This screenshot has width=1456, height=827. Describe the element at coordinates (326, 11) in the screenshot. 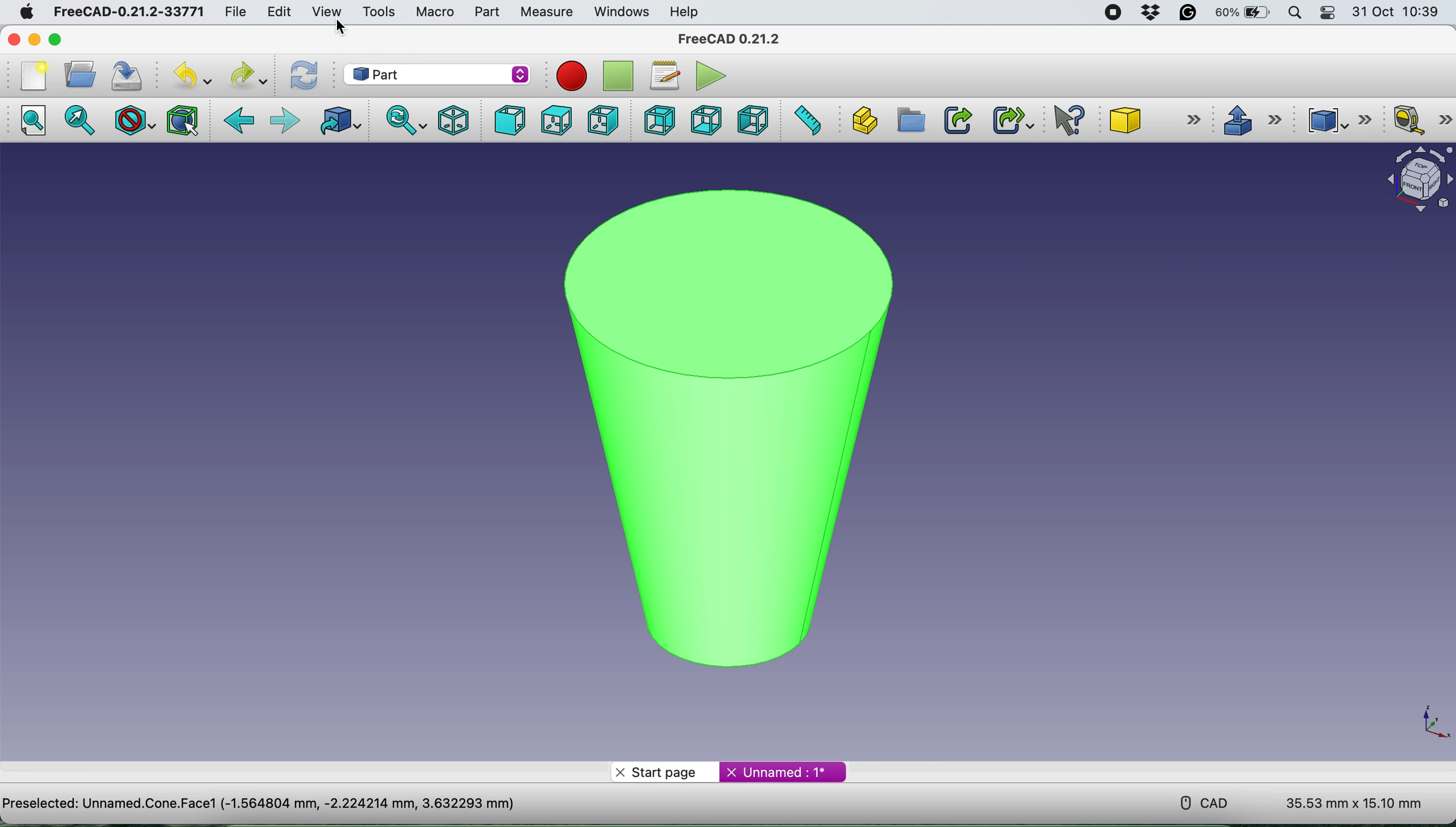

I see `view` at that location.